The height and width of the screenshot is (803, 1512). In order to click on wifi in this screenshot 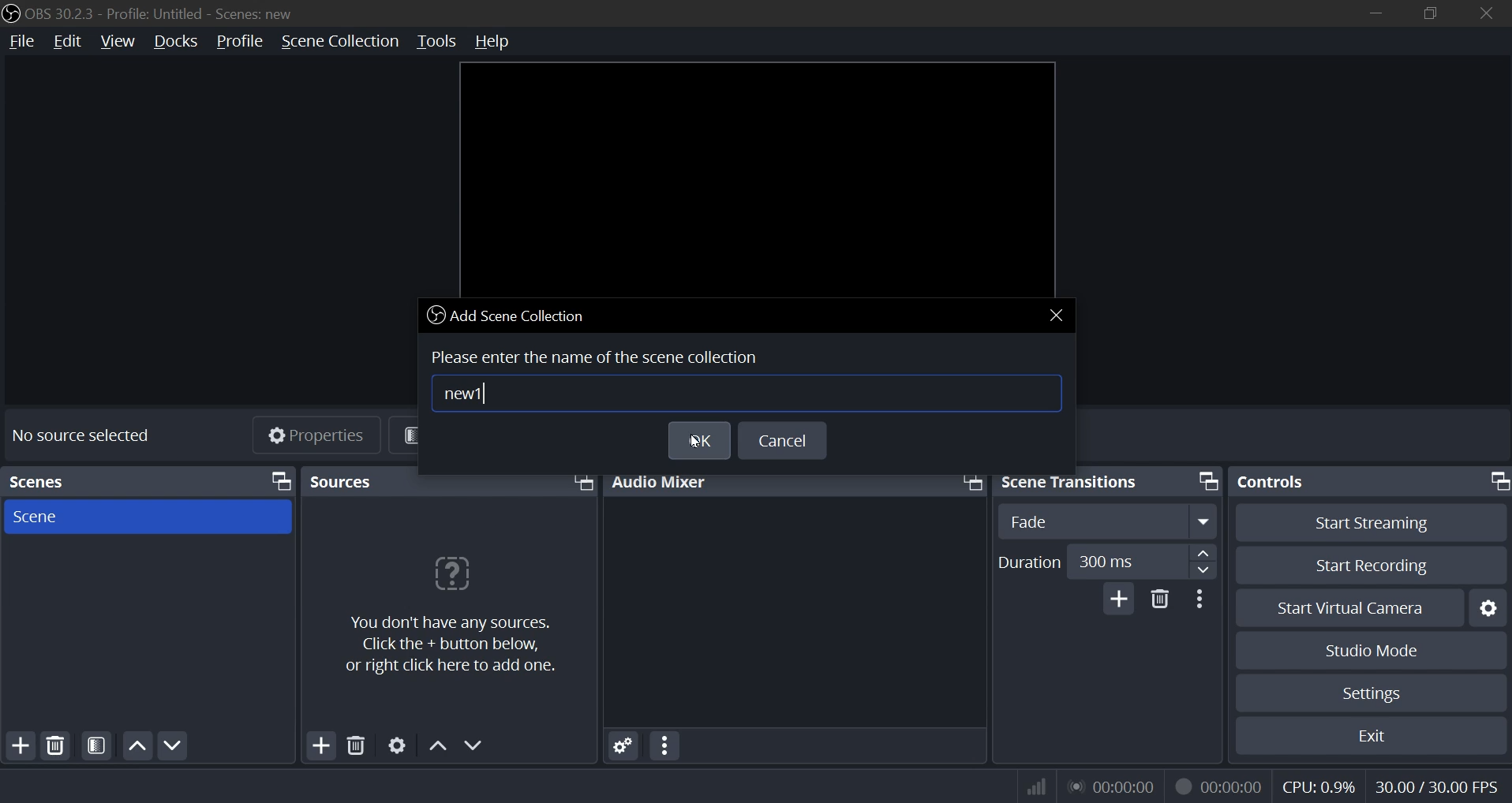, I will do `click(1029, 786)`.